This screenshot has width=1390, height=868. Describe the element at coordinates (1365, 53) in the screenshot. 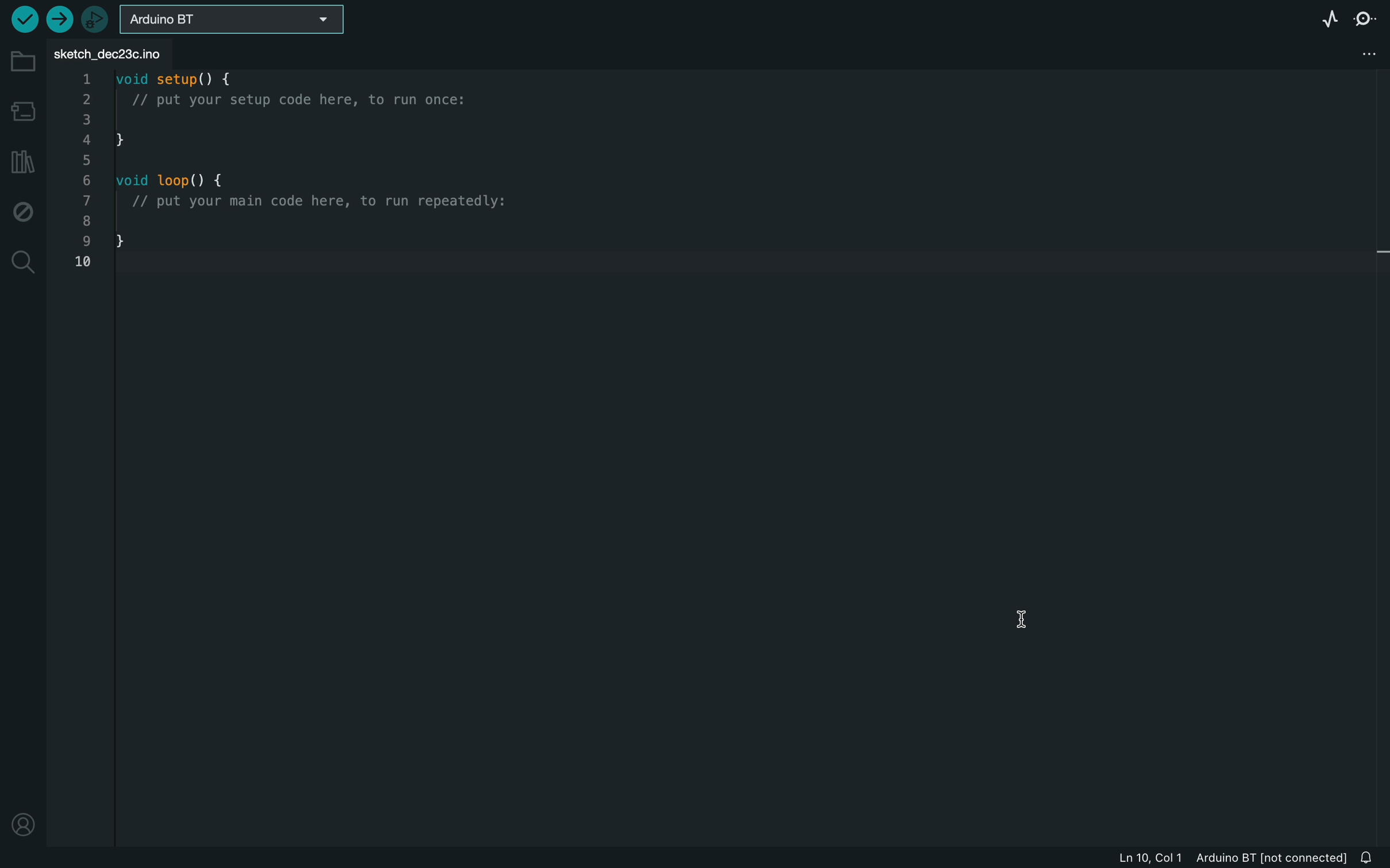

I see `file setting` at that location.